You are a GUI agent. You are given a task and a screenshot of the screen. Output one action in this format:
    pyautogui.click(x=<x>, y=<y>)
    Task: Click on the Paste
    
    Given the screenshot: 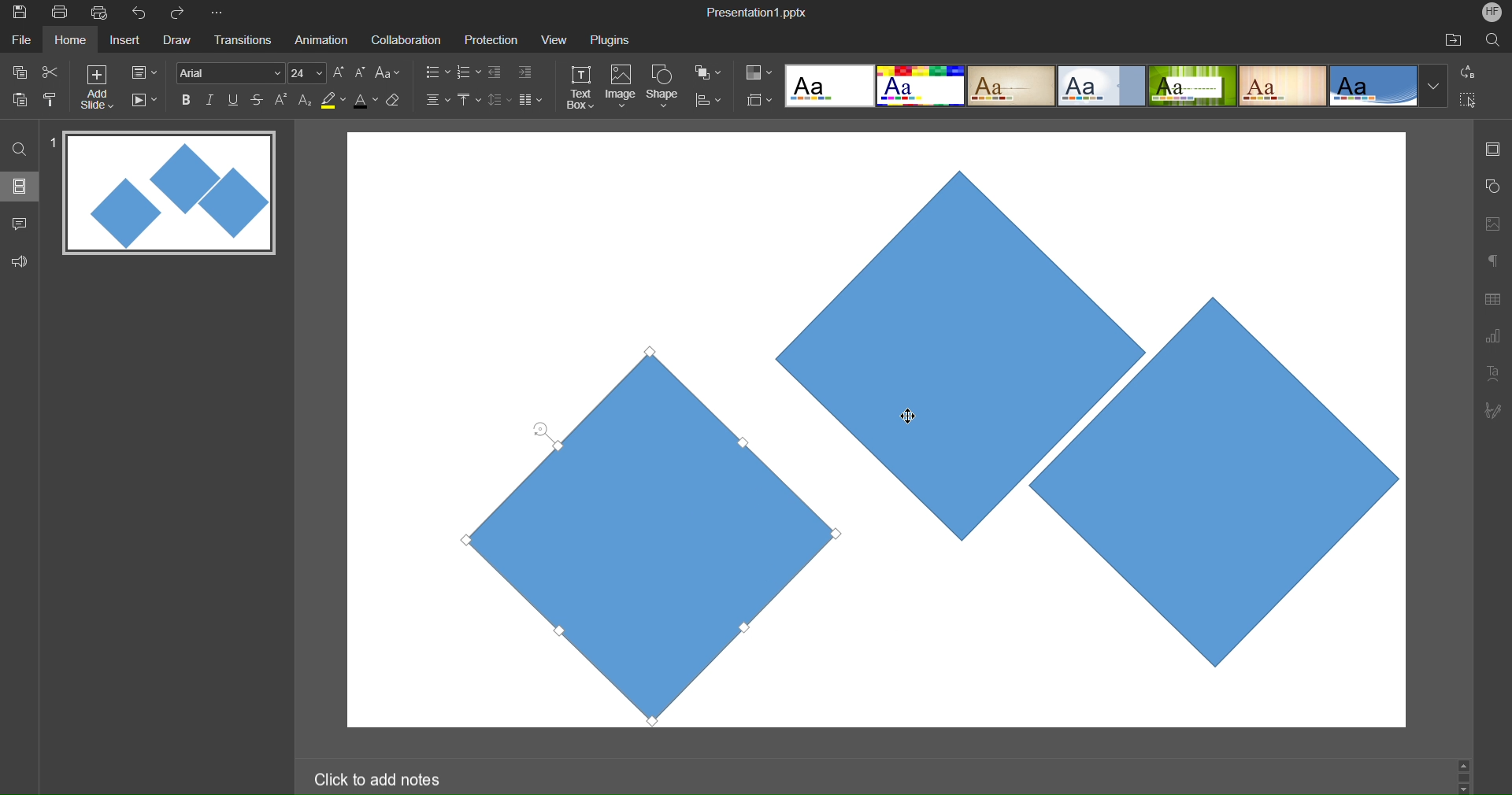 What is the action you would take?
    pyautogui.click(x=20, y=98)
    